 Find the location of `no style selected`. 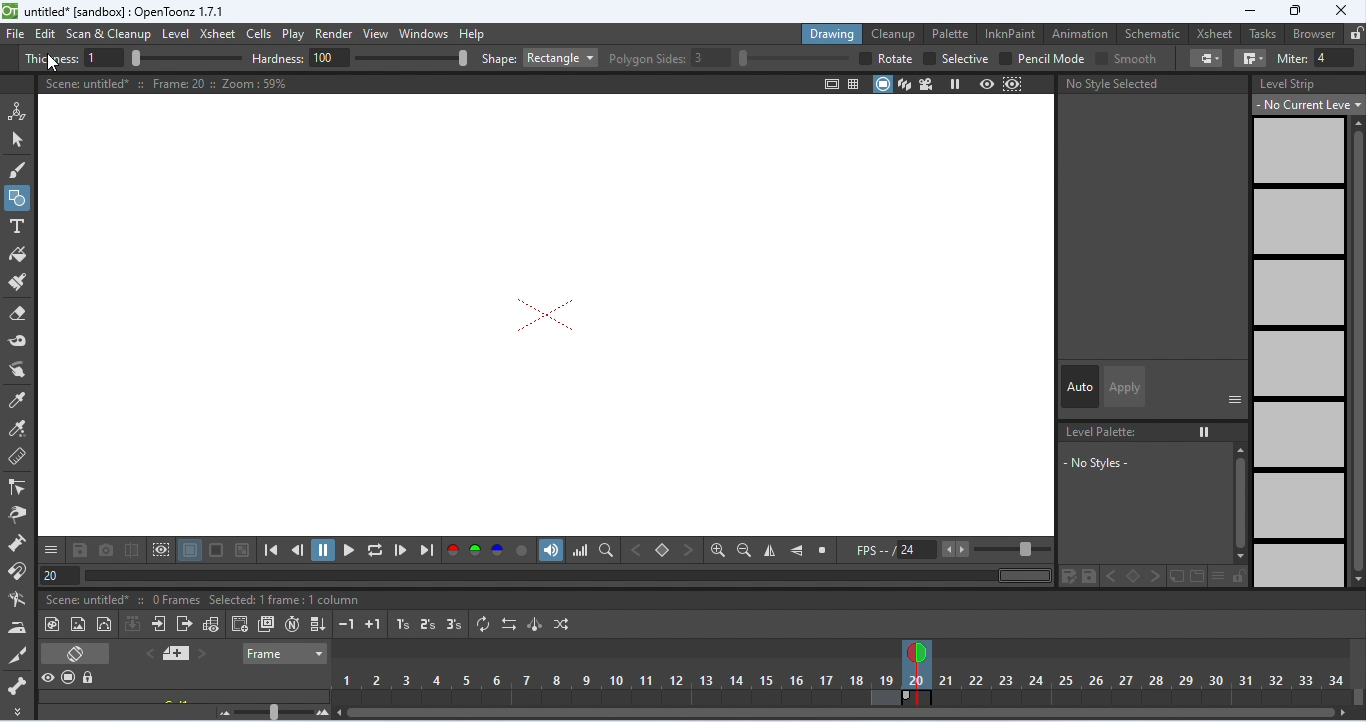

no style selected is located at coordinates (1112, 85).